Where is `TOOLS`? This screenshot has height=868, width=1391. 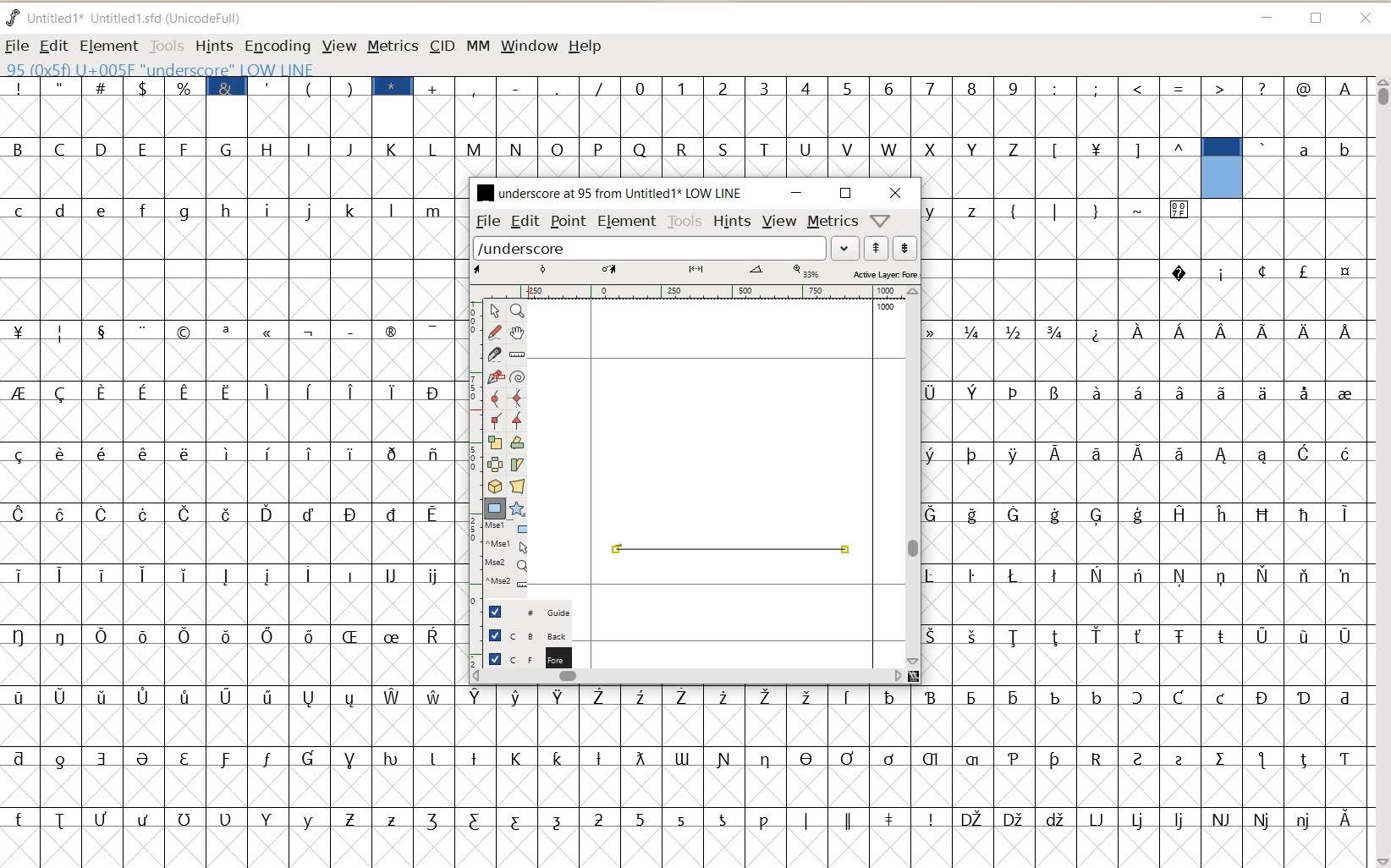
TOOLS is located at coordinates (165, 45).